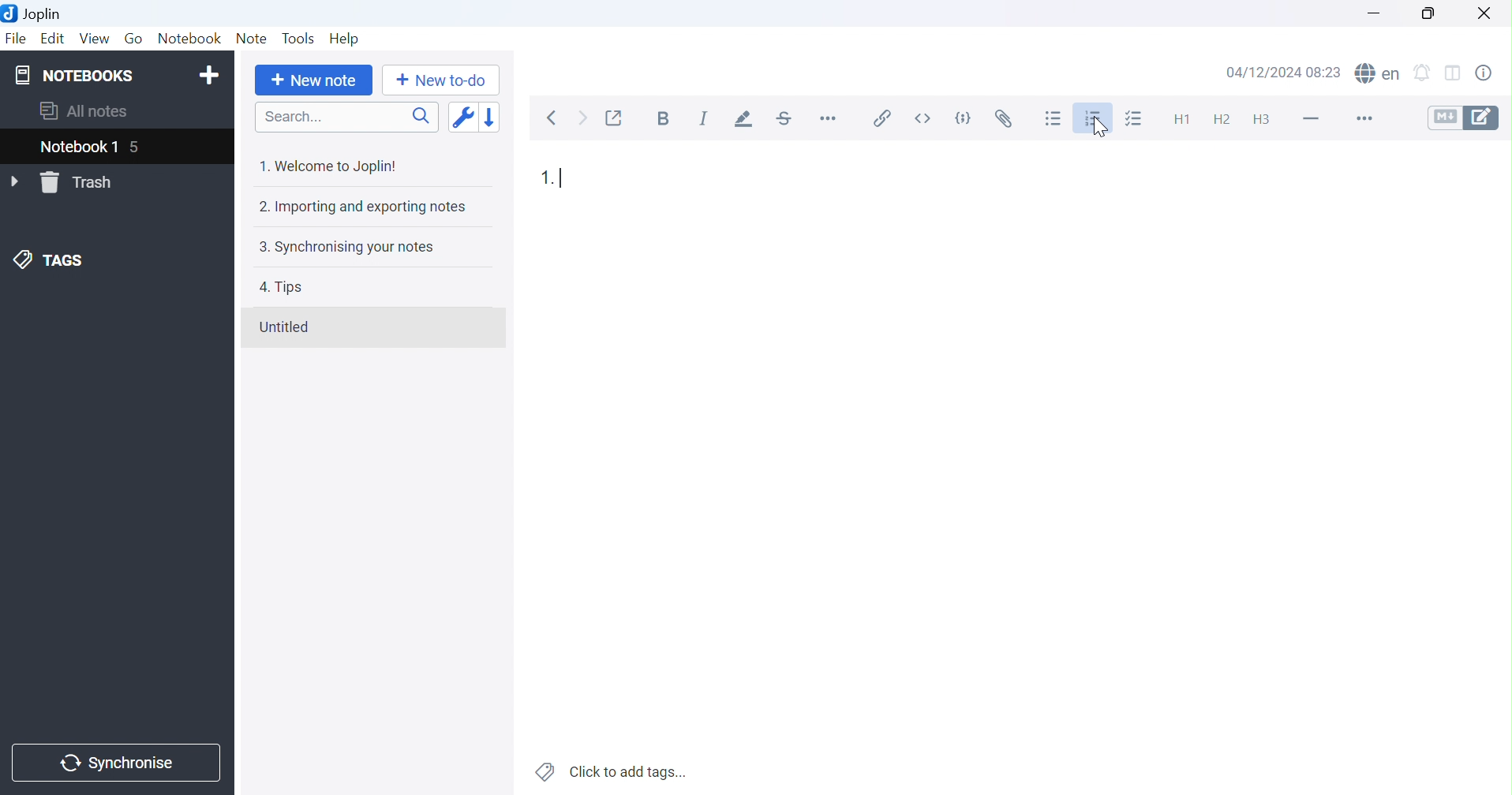  What do you see at coordinates (1486, 11) in the screenshot?
I see `Close` at bounding box center [1486, 11].